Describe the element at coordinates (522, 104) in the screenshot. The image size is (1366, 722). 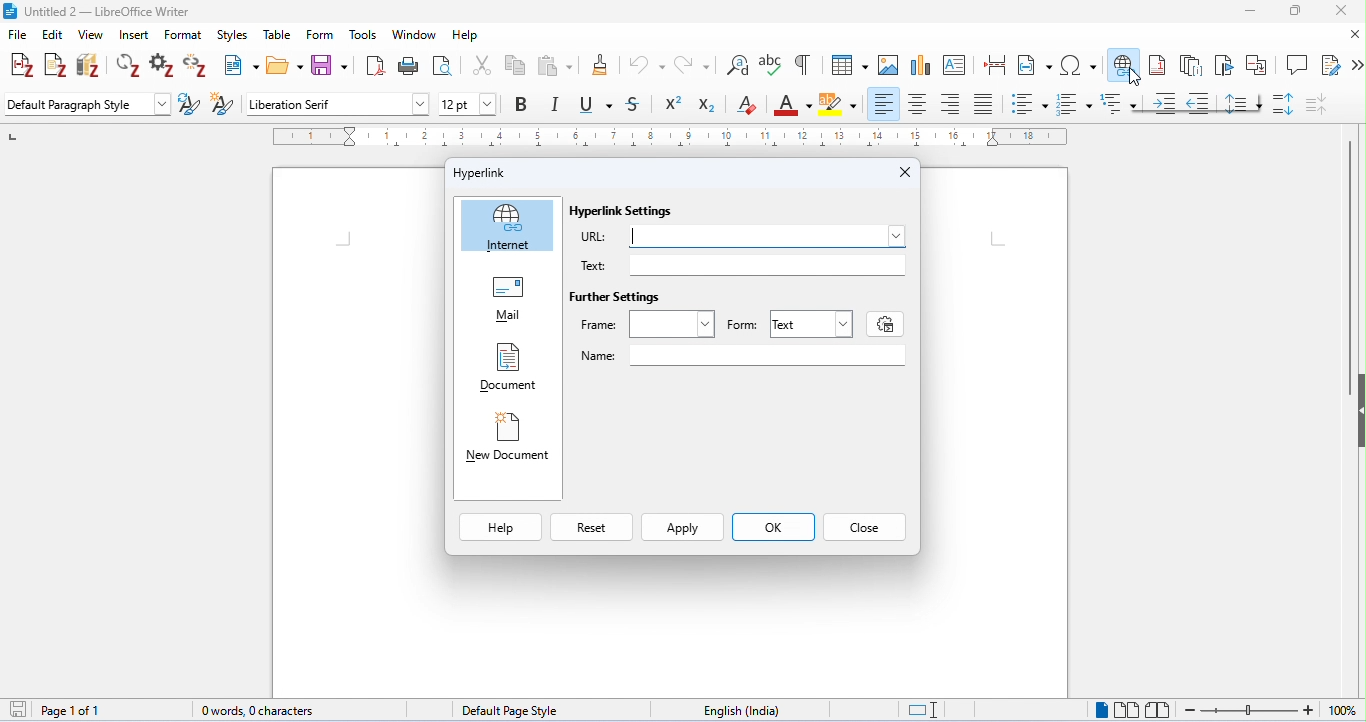
I see `bold` at that location.